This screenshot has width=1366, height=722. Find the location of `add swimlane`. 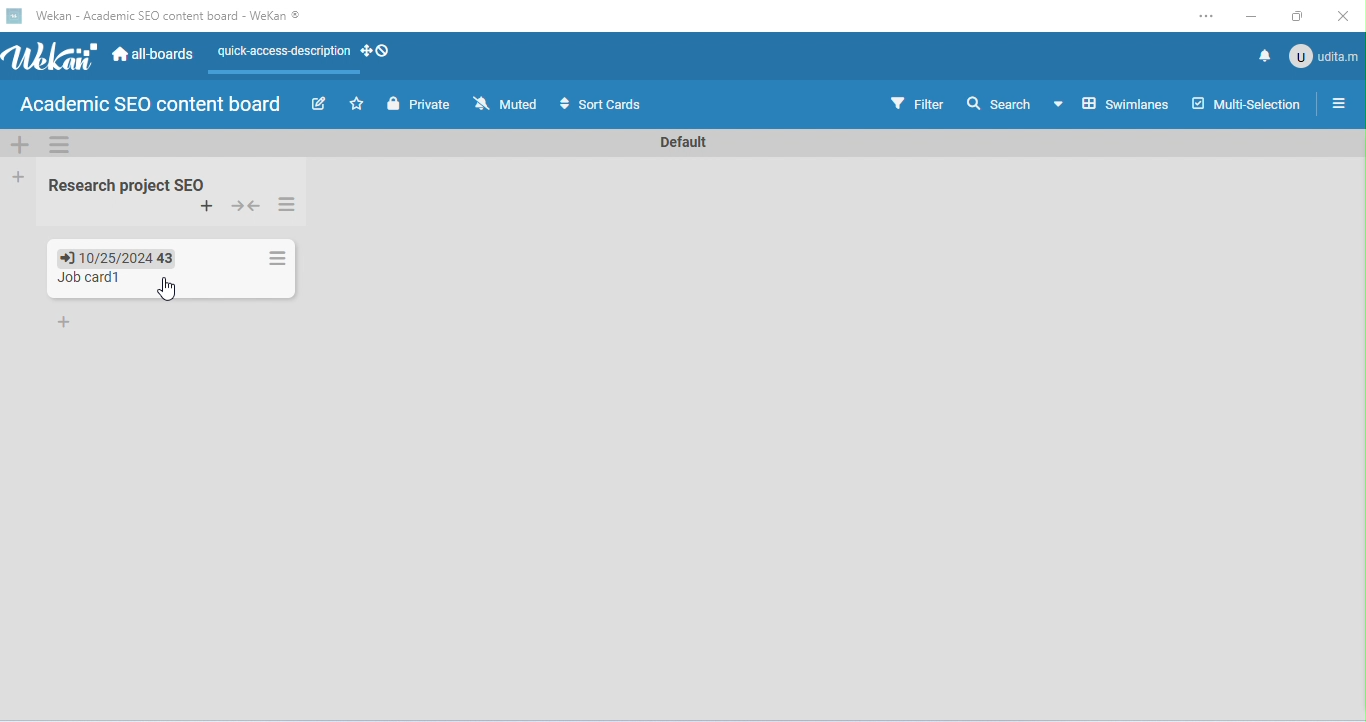

add swimlane is located at coordinates (17, 145).